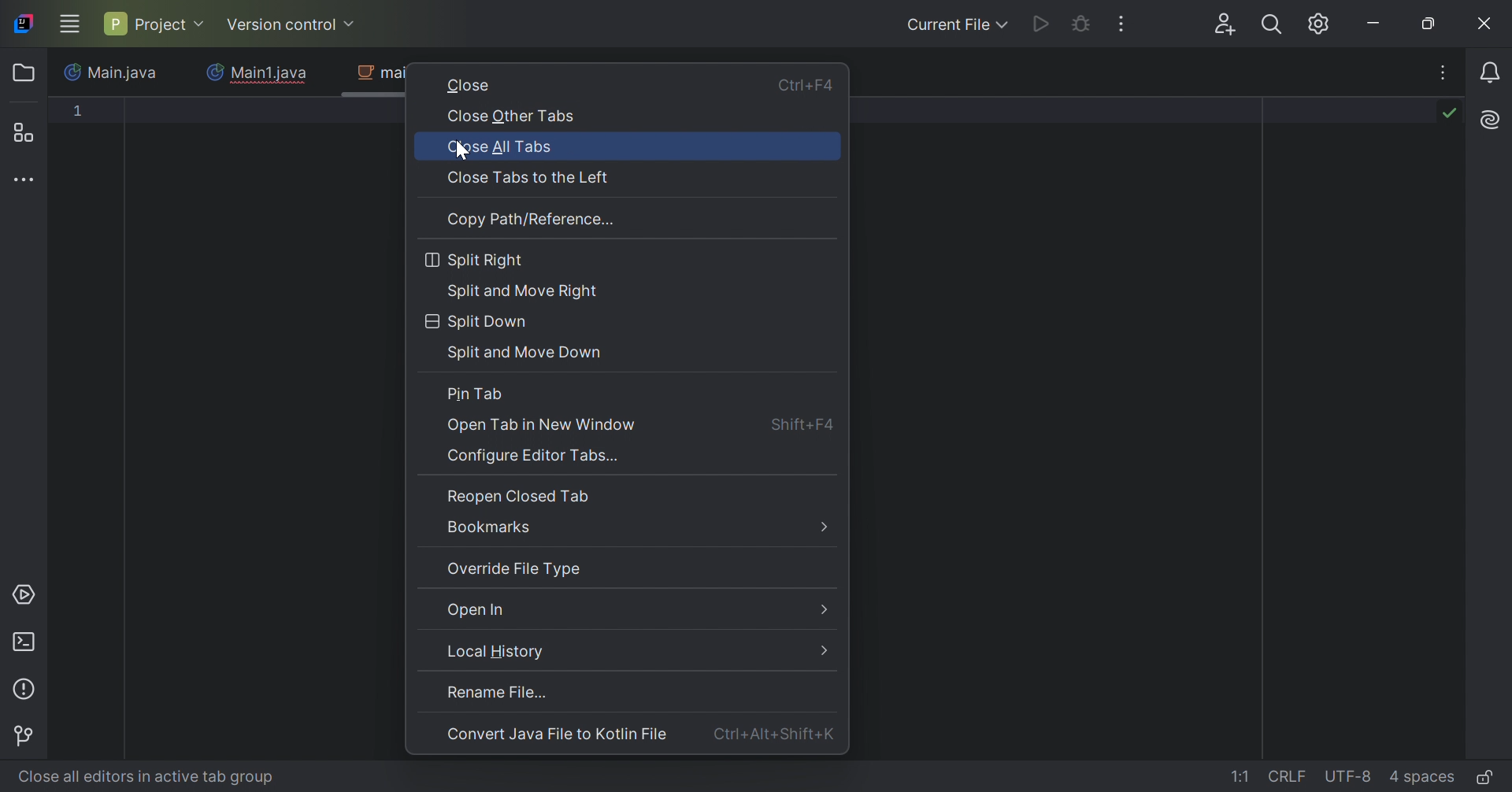  I want to click on Close, so click(1486, 24).